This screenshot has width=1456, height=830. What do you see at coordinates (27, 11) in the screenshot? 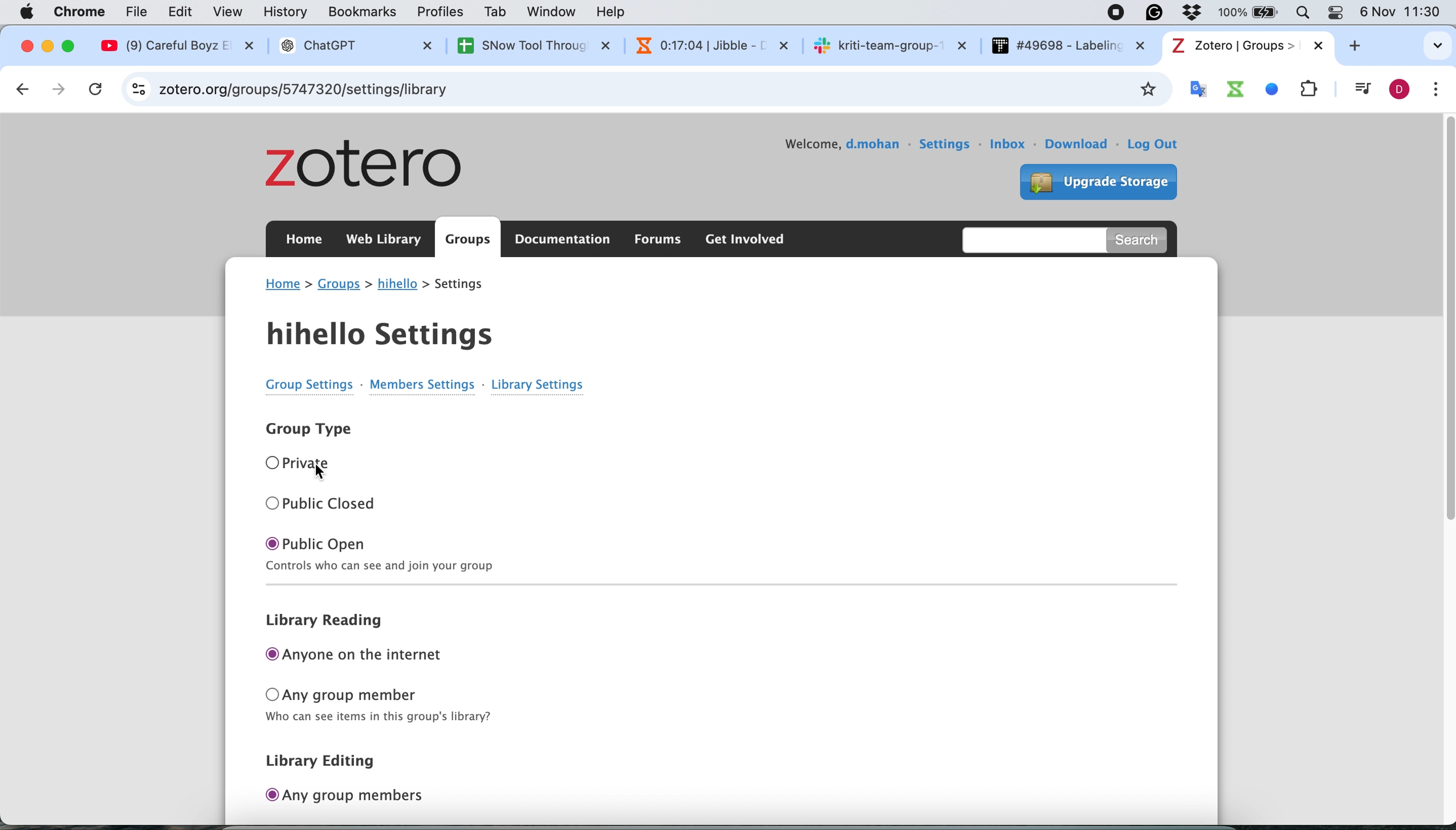
I see `Apple logo` at bounding box center [27, 11].